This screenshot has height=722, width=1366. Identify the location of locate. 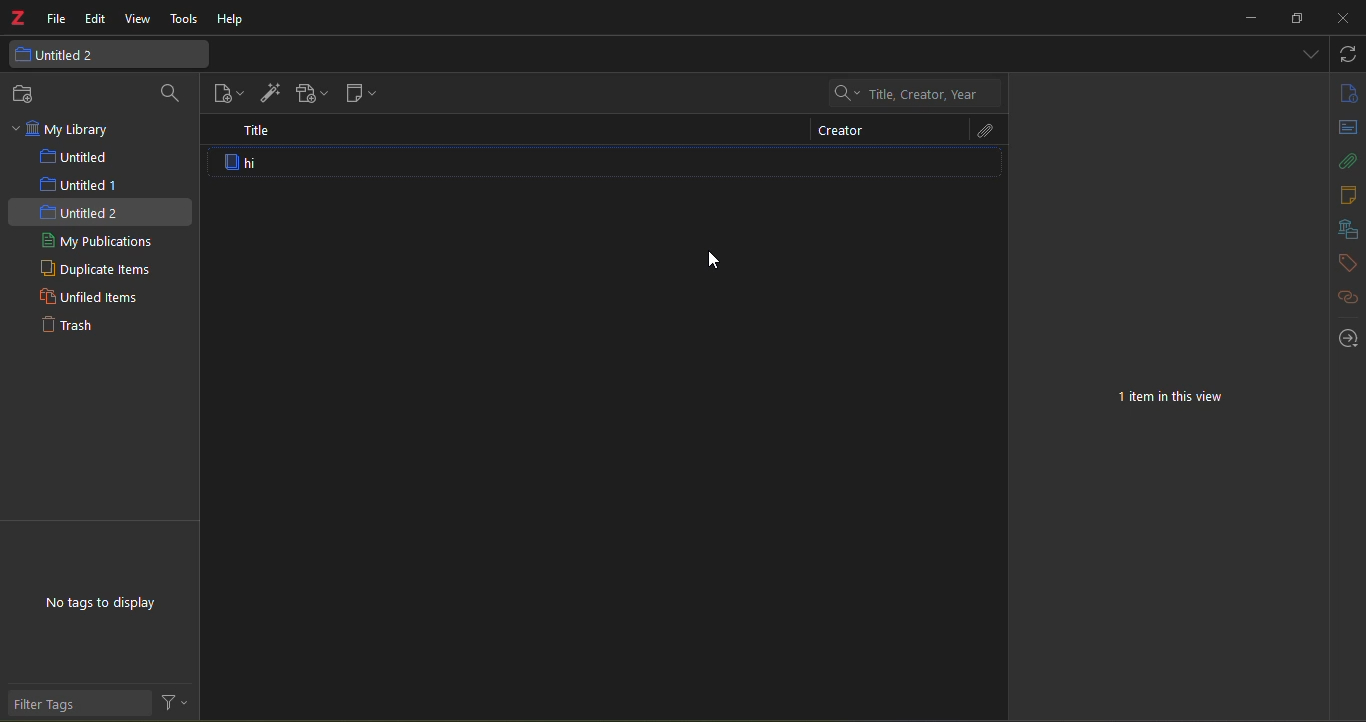
(1348, 338).